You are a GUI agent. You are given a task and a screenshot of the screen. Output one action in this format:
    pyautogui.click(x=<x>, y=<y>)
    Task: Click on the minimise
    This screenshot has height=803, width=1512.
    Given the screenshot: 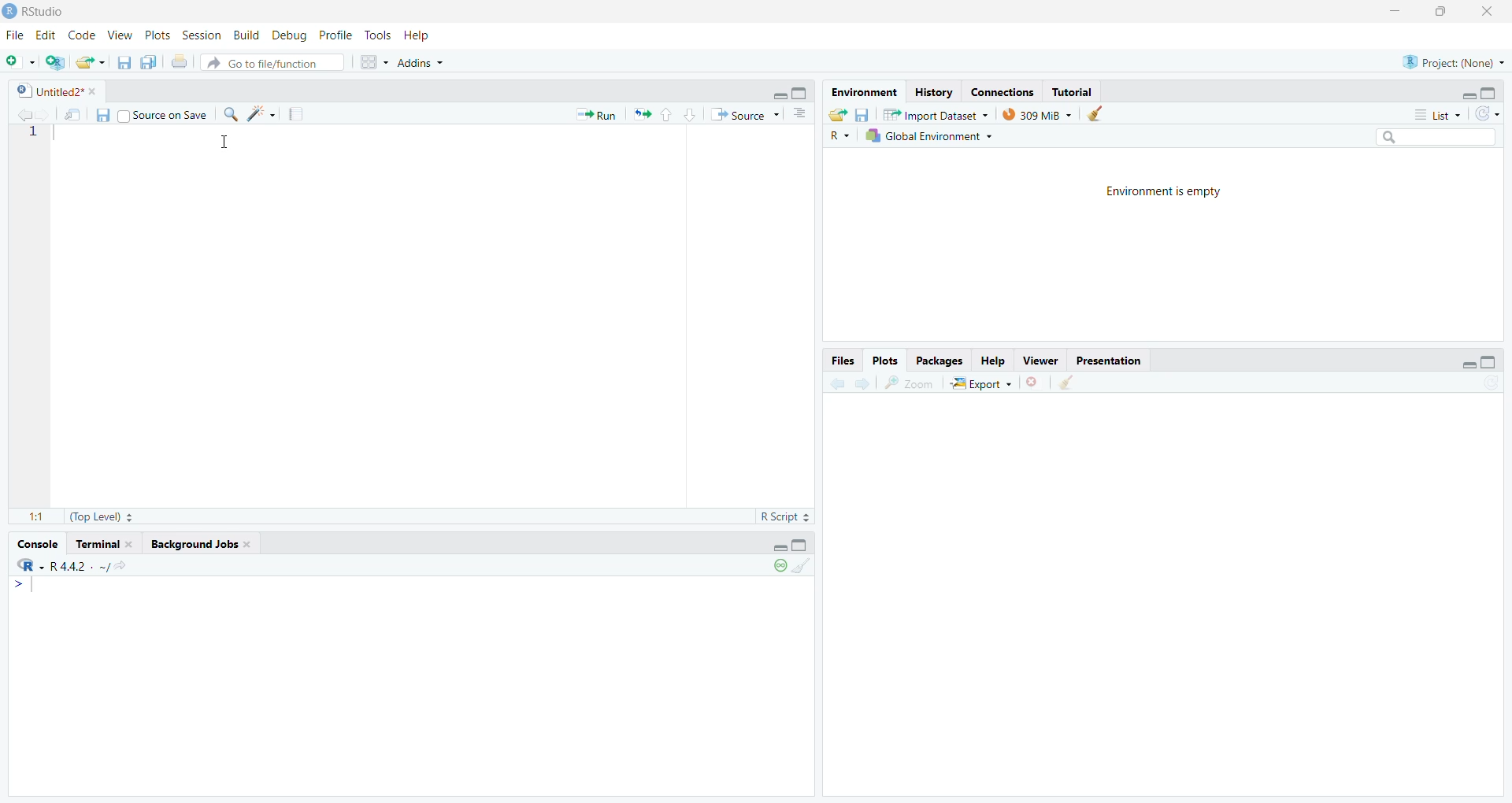 What is the action you would take?
    pyautogui.click(x=1463, y=93)
    